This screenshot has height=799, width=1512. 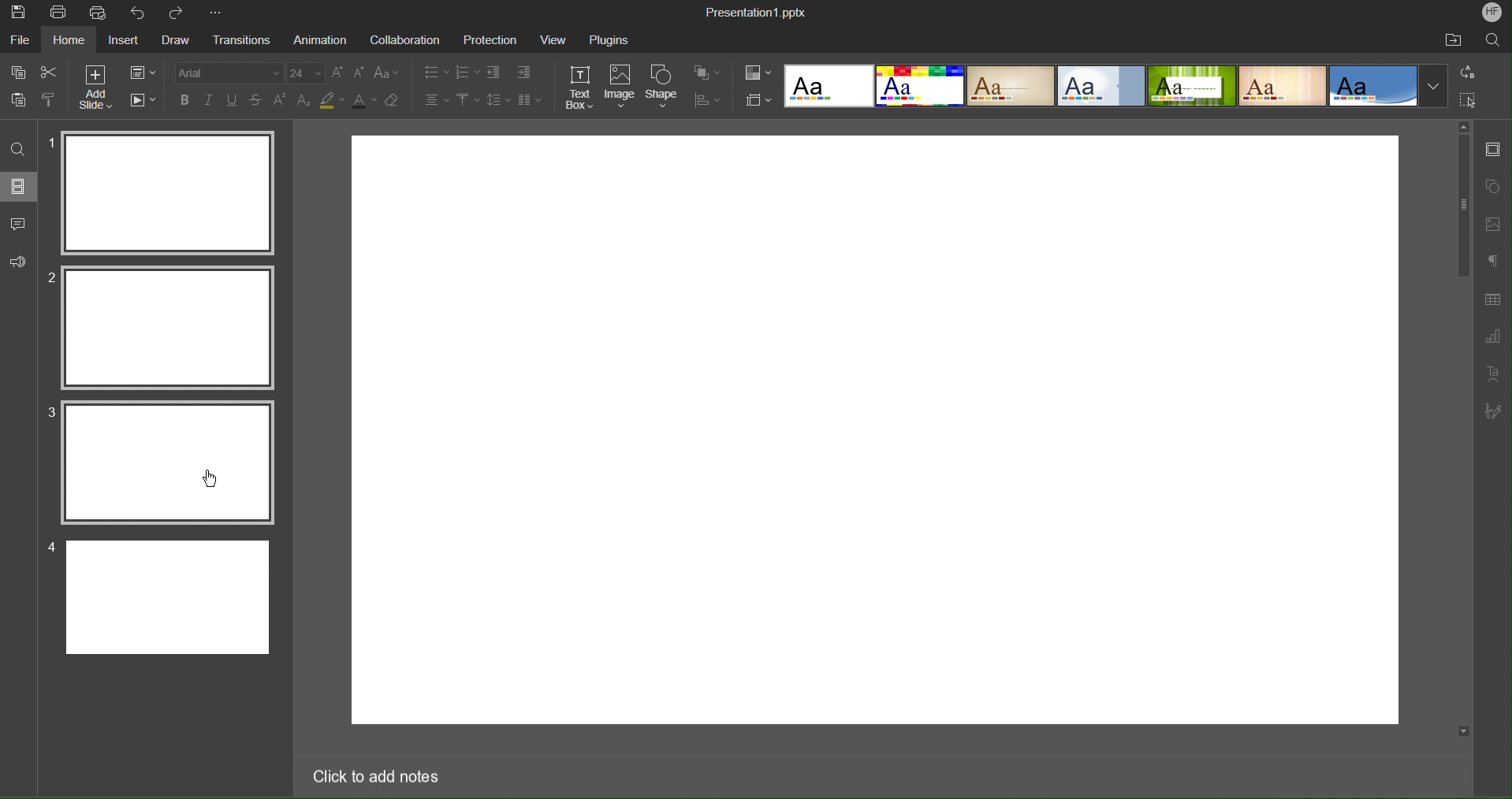 What do you see at coordinates (608, 39) in the screenshot?
I see `Plugins` at bounding box center [608, 39].